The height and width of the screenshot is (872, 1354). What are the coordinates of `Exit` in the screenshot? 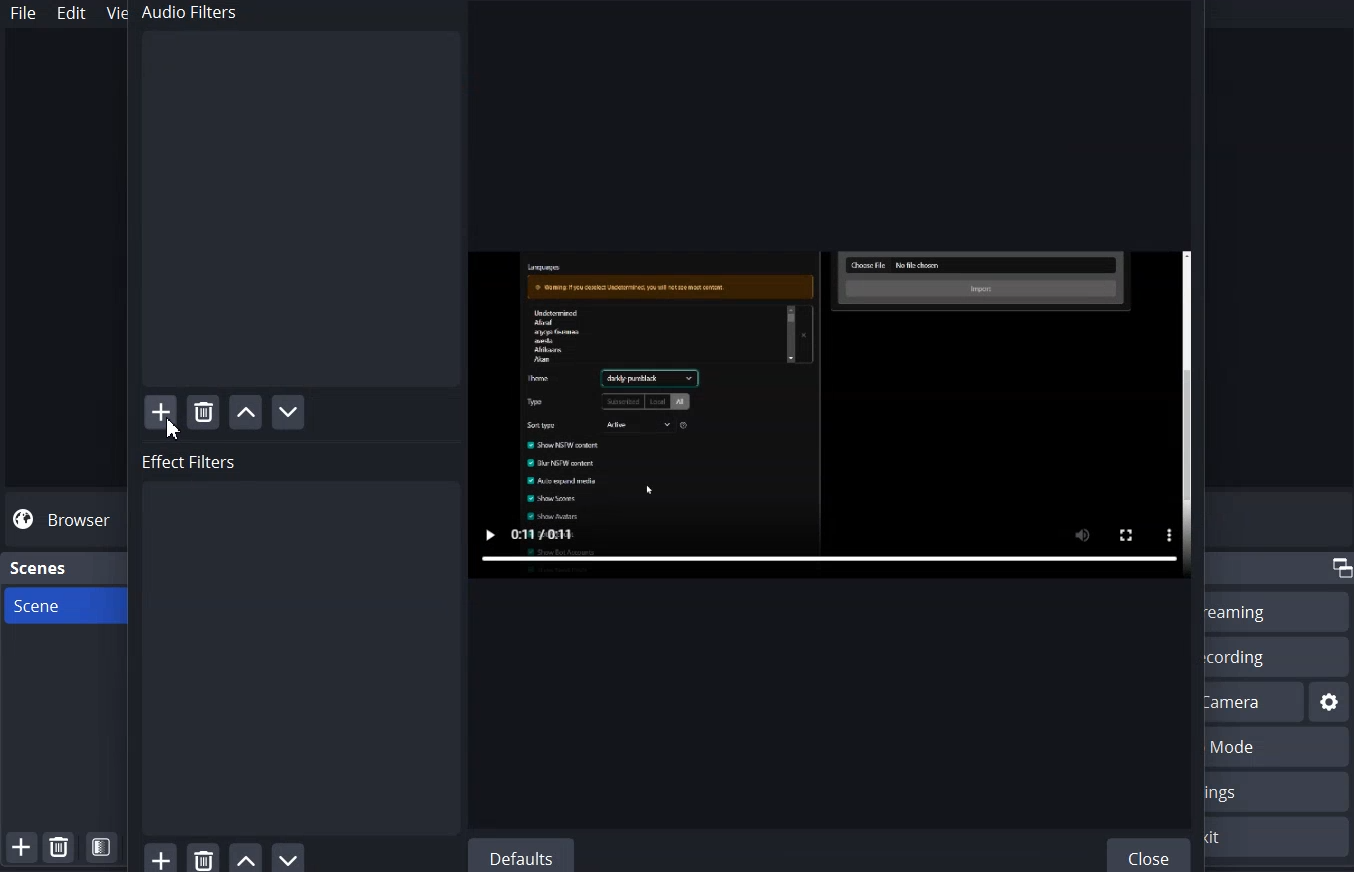 It's located at (1279, 837).